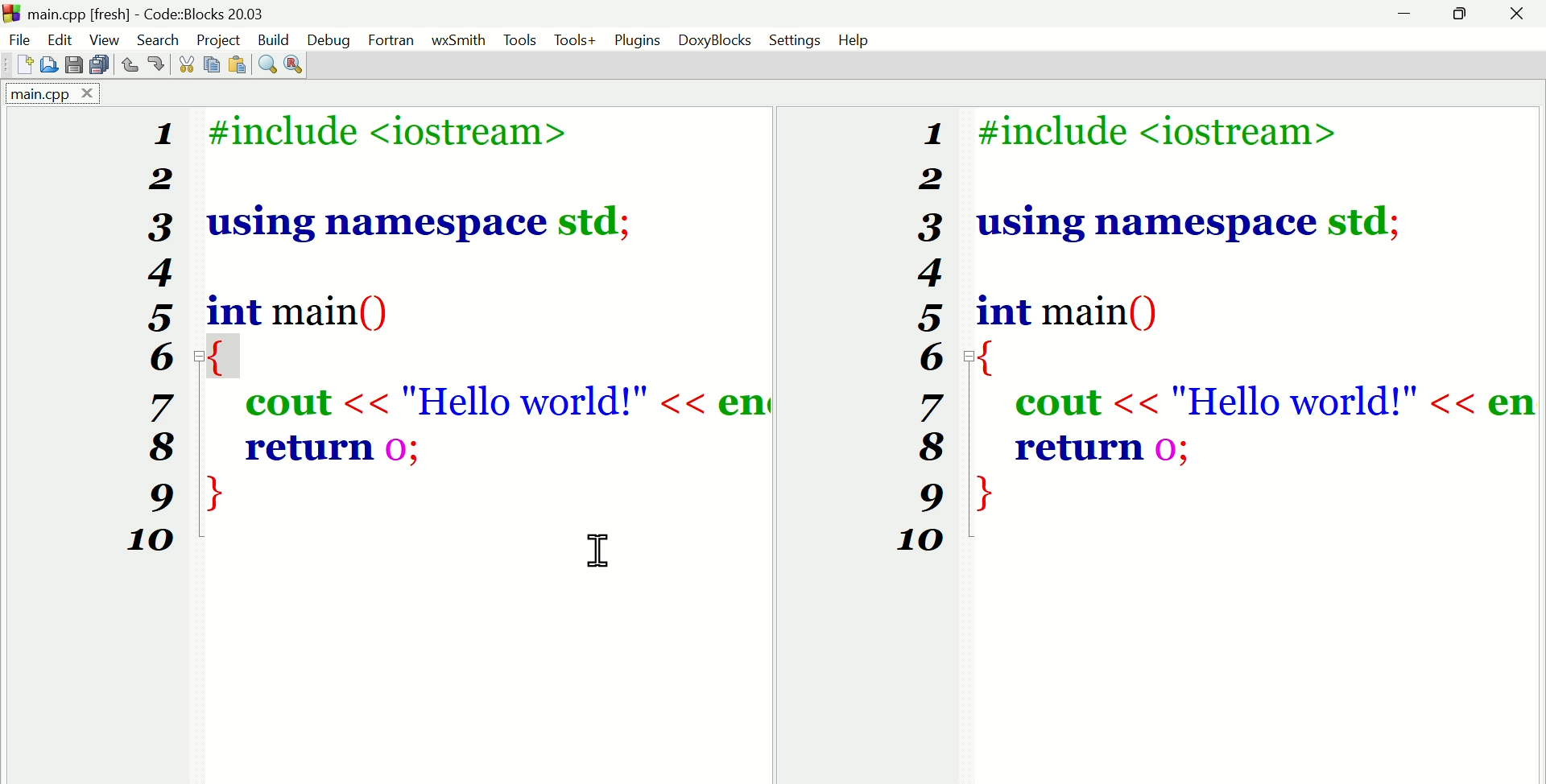 The width and height of the screenshot is (1546, 784). What do you see at coordinates (1463, 15) in the screenshot?
I see `maximise` at bounding box center [1463, 15].